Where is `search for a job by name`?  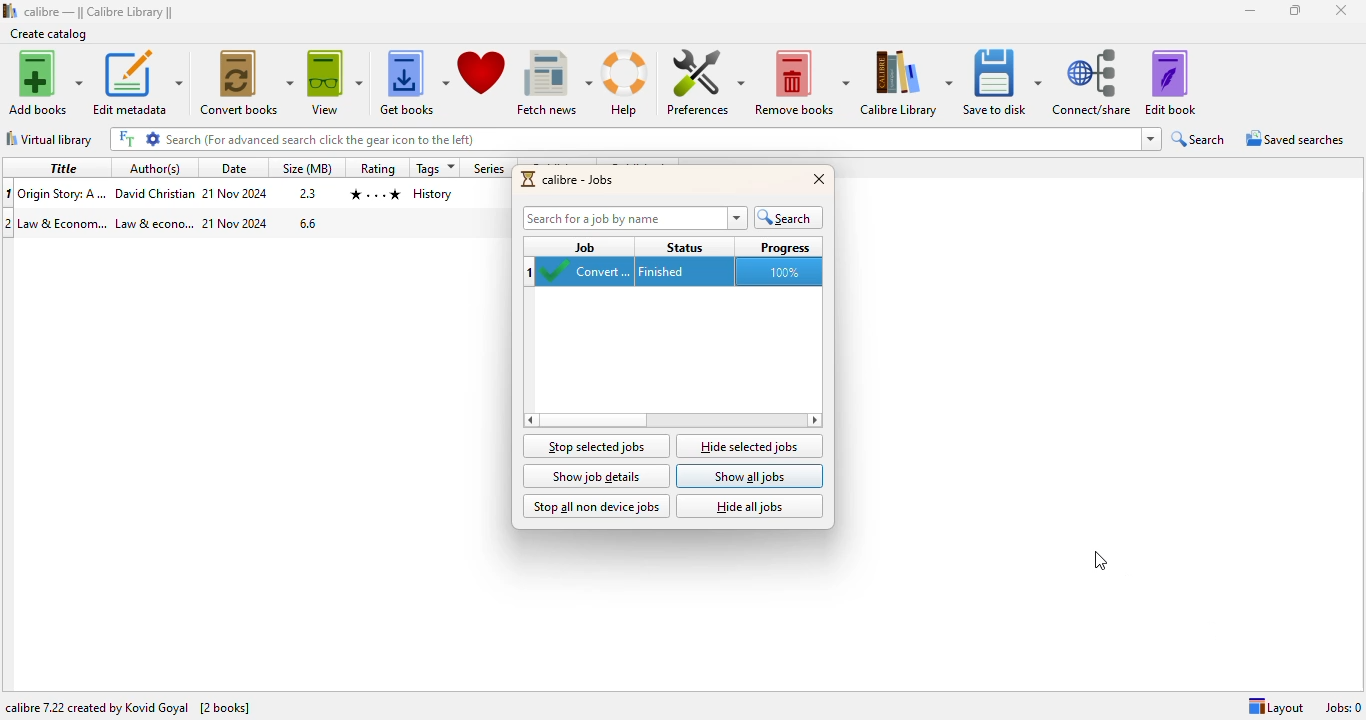 search for a job by name is located at coordinates (635, 218).